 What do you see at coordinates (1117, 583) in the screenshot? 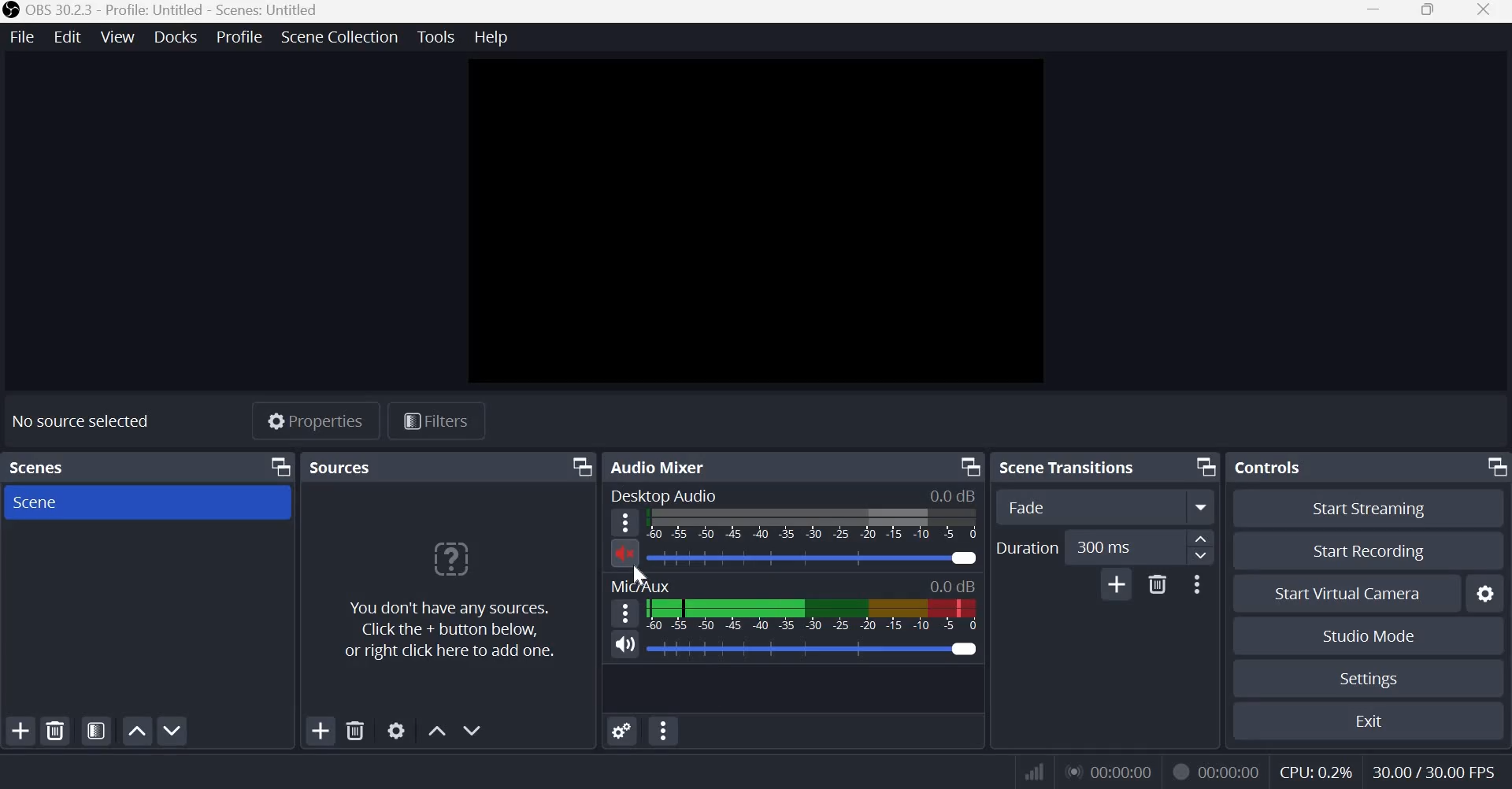
I see `Add Transition` at bounding box center [1117, 583].